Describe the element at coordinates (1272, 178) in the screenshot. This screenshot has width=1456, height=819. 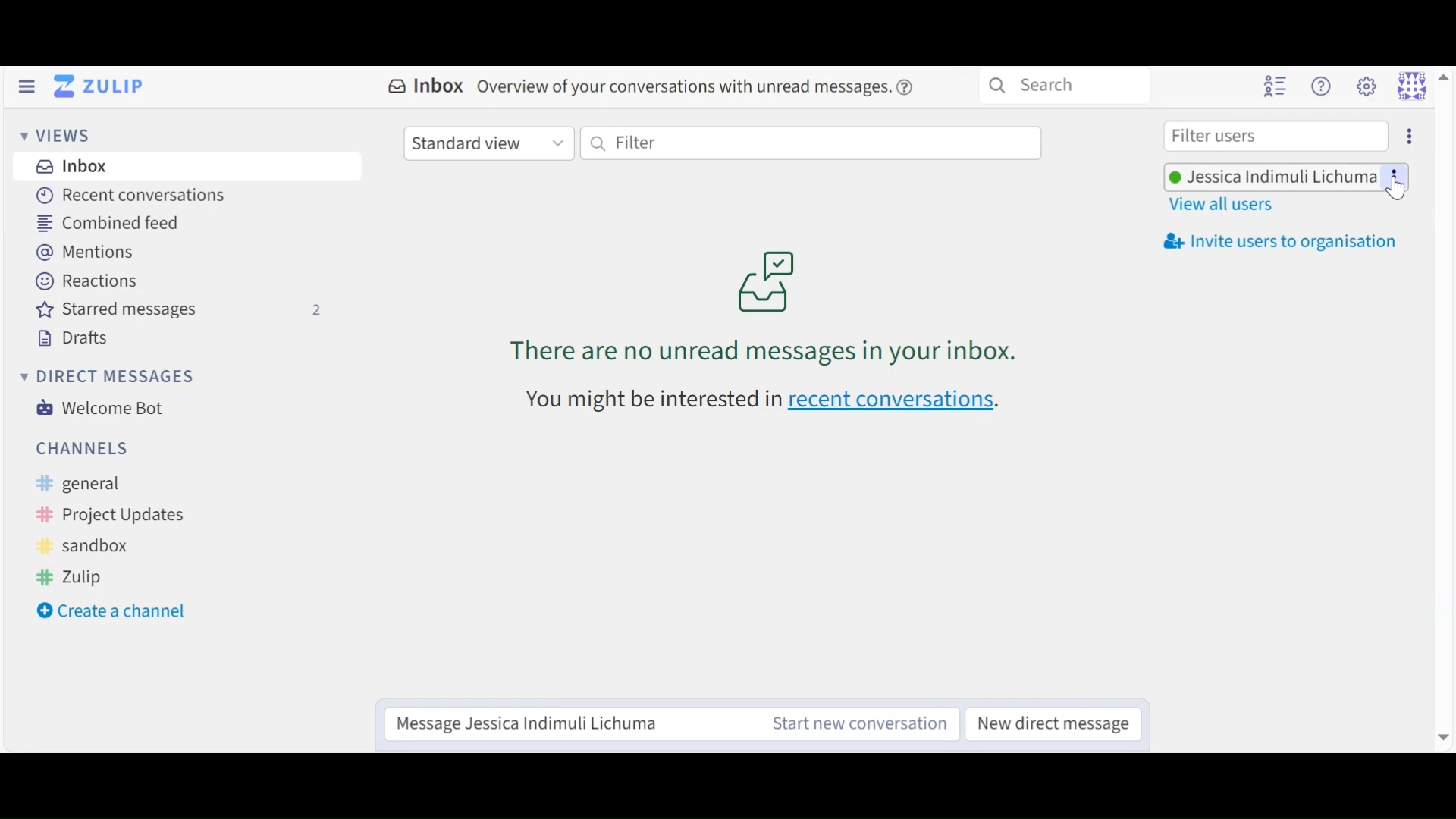
I see `Username` at that location.